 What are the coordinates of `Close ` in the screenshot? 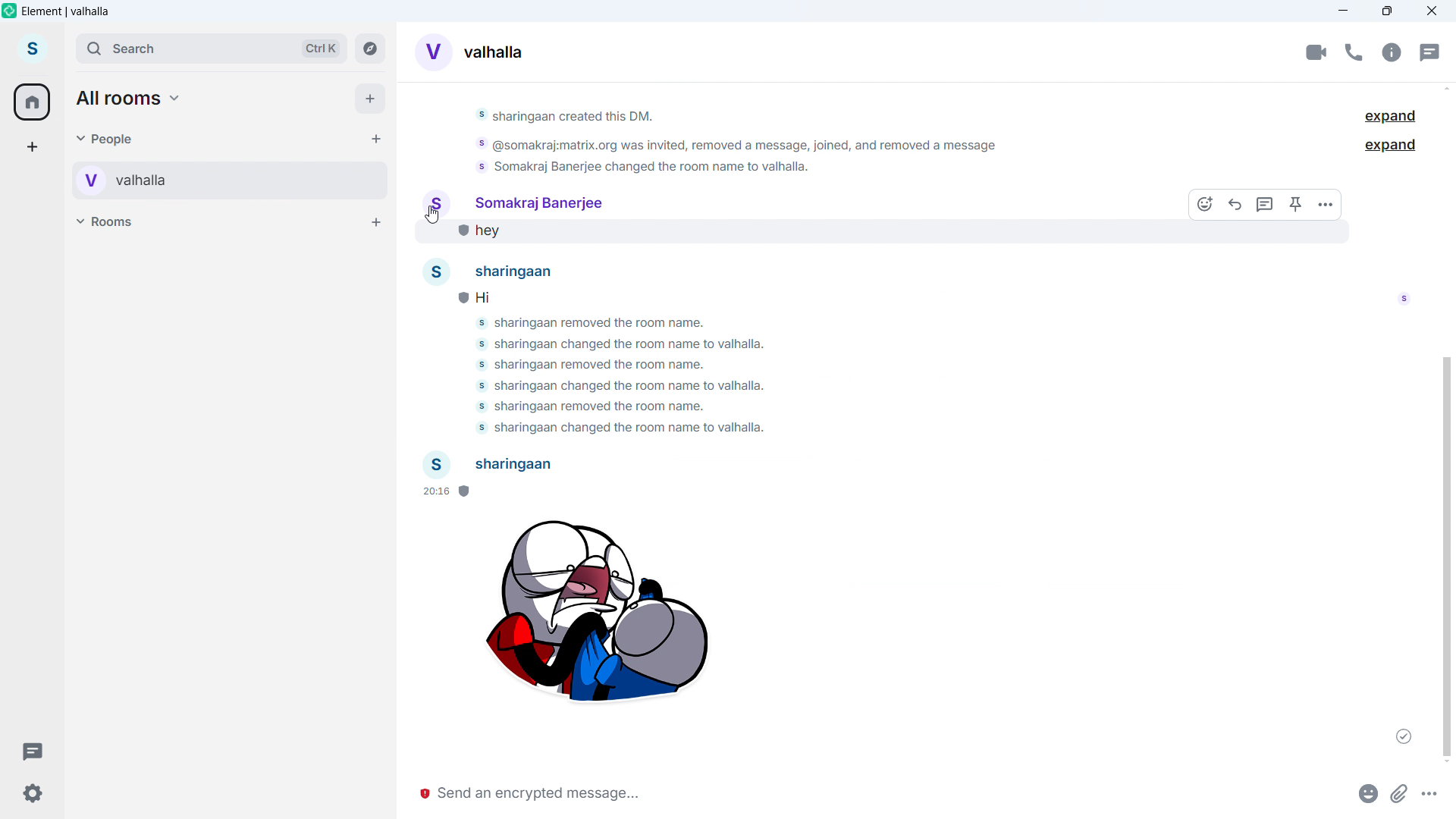 It's located at (1432, 11).